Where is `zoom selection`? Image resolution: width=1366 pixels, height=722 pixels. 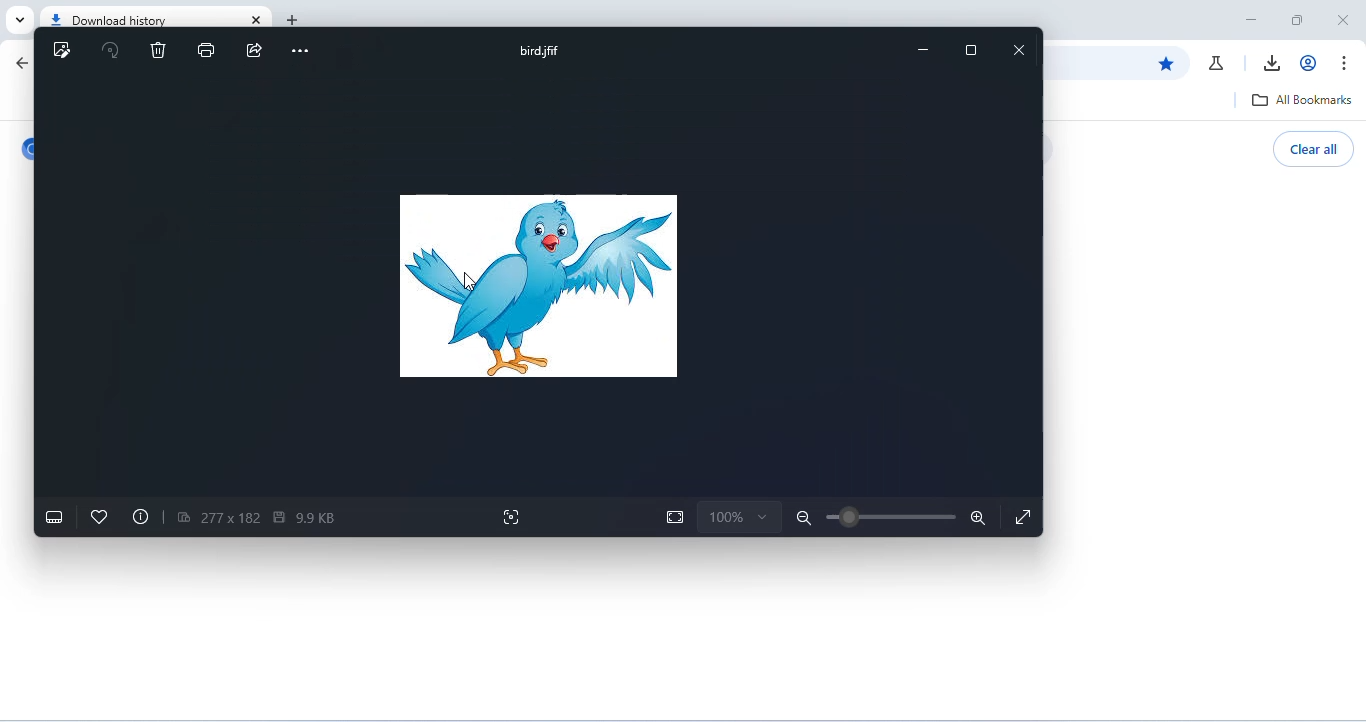 zoom selection is located at coordinates (735, 518).